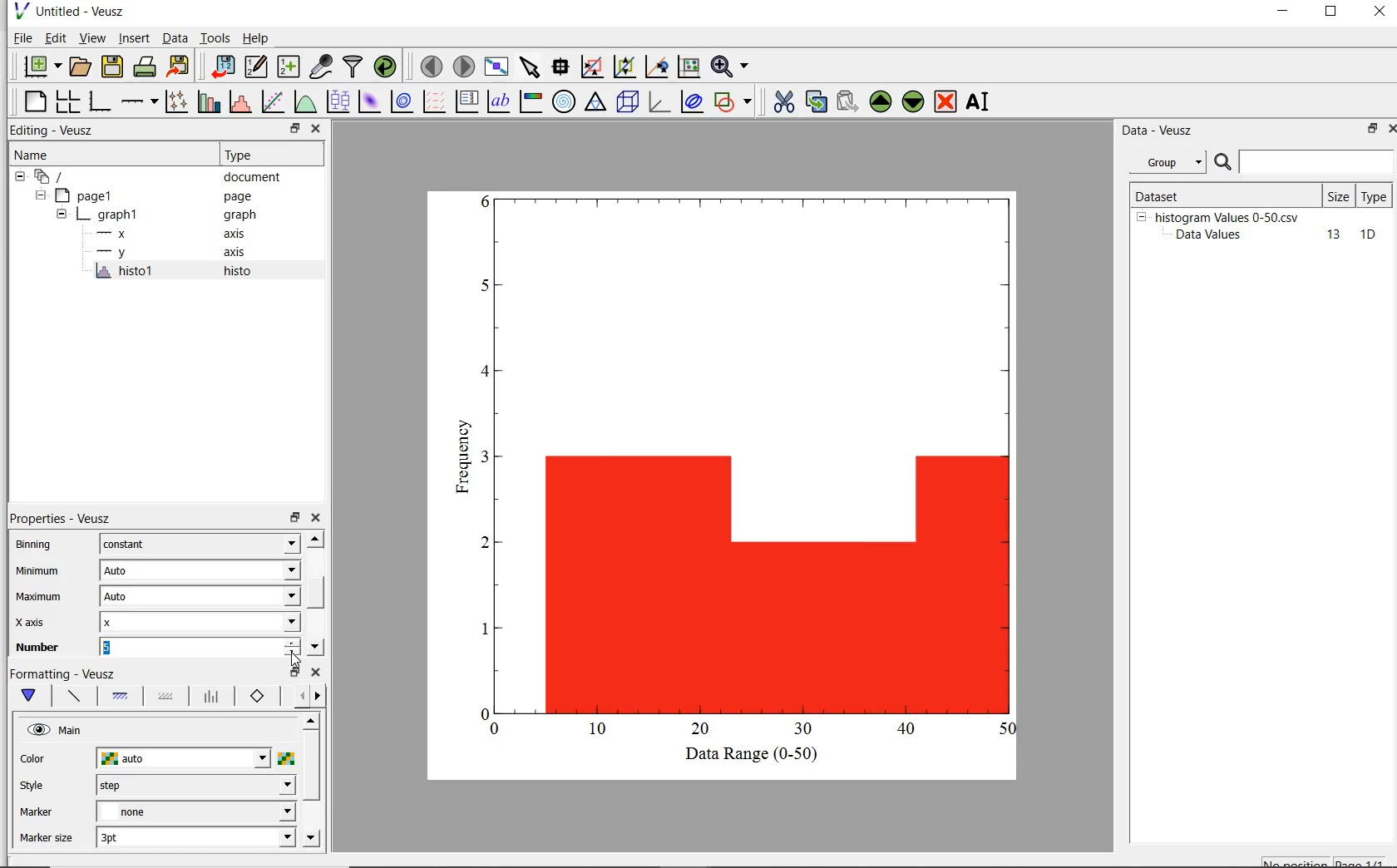  What do you see at coordinates (241, 234) in the screenshot?
I see `axis` at bounding box center [241, 234].